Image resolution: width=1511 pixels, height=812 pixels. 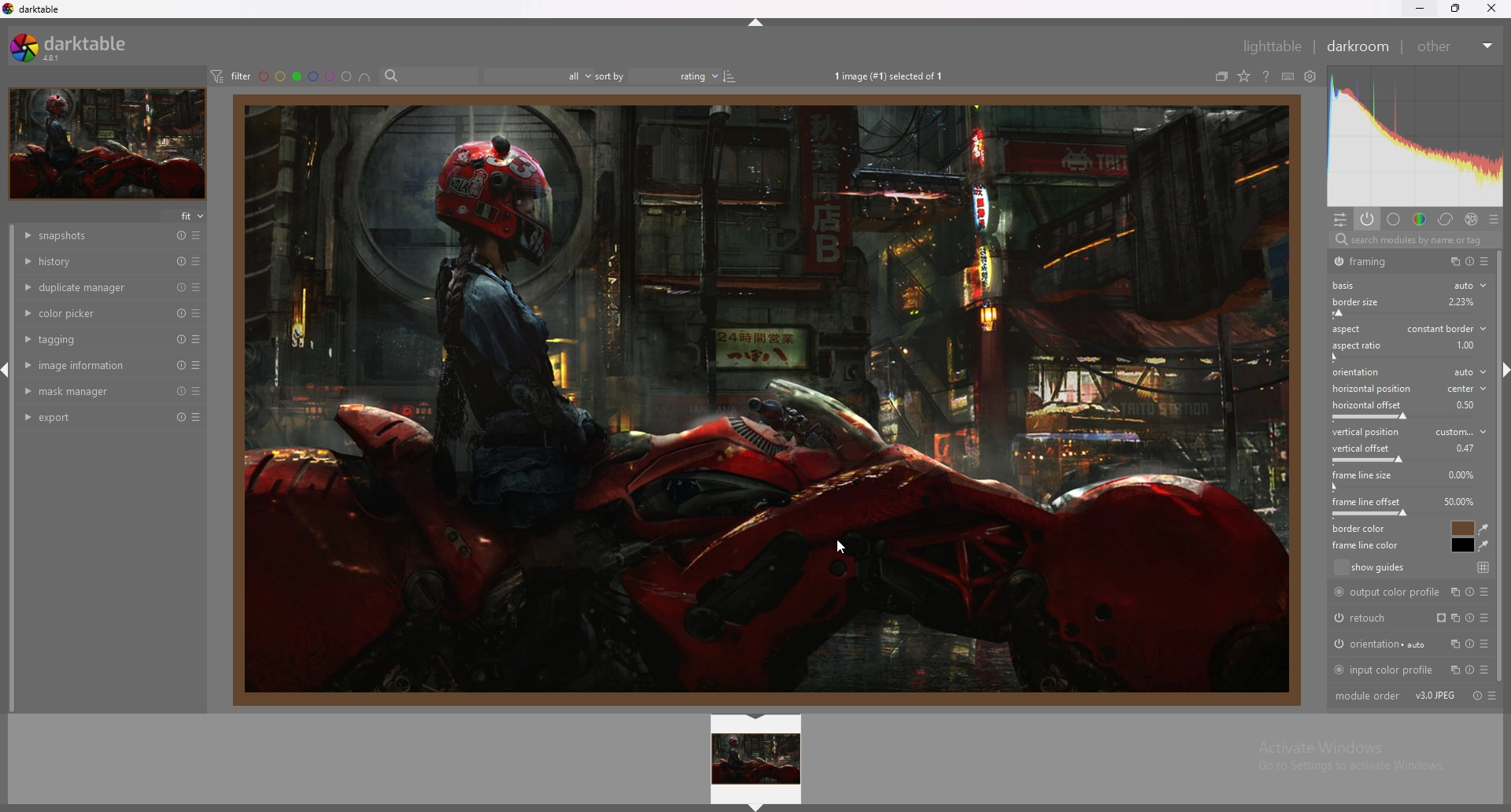 What do you see at coordinates (1486, 262) in the screenshot?
I see `presets` at bounding box center [1486, 262].